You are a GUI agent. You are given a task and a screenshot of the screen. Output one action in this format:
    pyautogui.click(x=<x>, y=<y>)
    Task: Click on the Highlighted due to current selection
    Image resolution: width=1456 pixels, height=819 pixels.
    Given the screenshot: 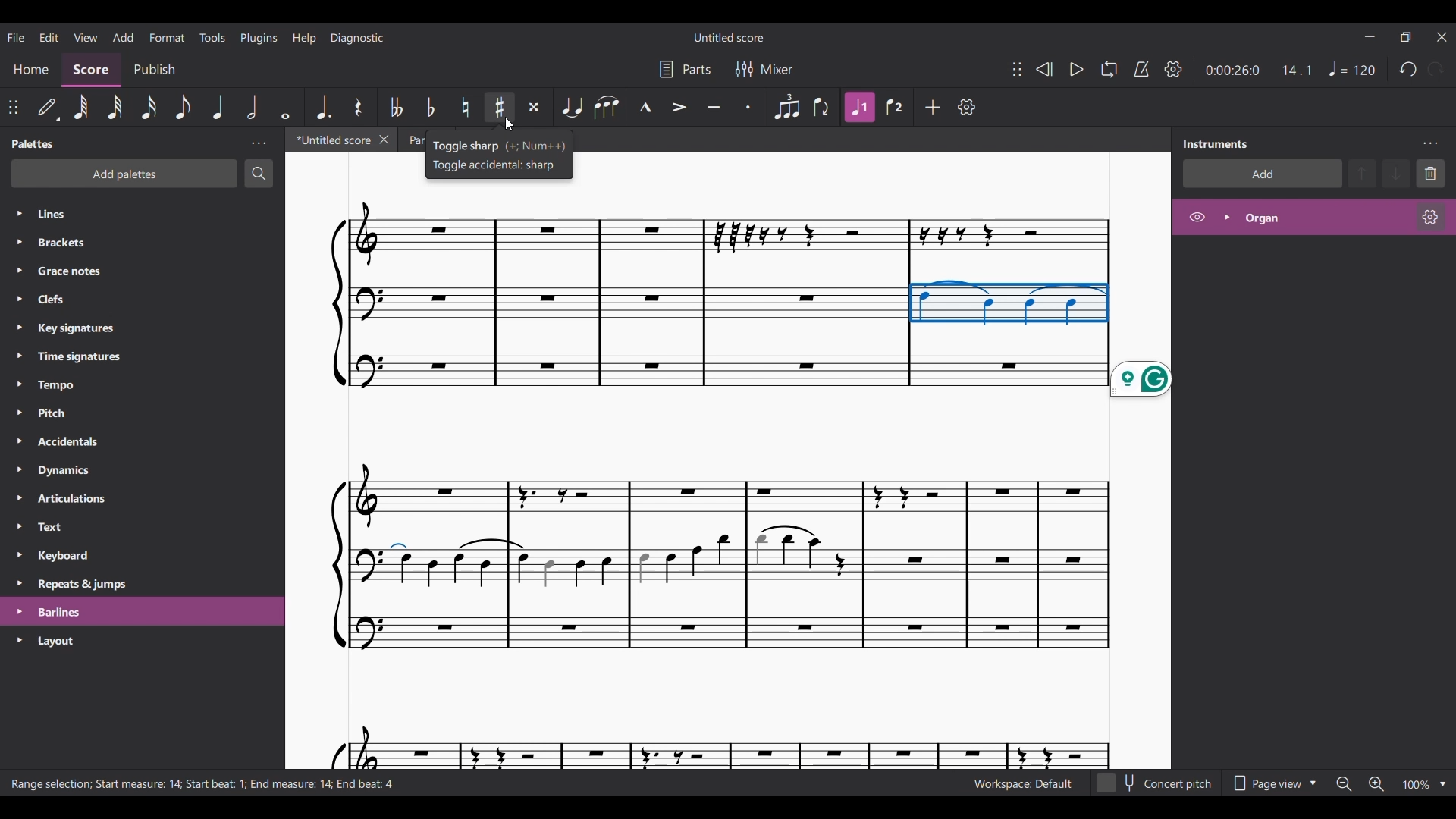 What is the action you would take?
    pyautogui.click(x=860, y=107)
    